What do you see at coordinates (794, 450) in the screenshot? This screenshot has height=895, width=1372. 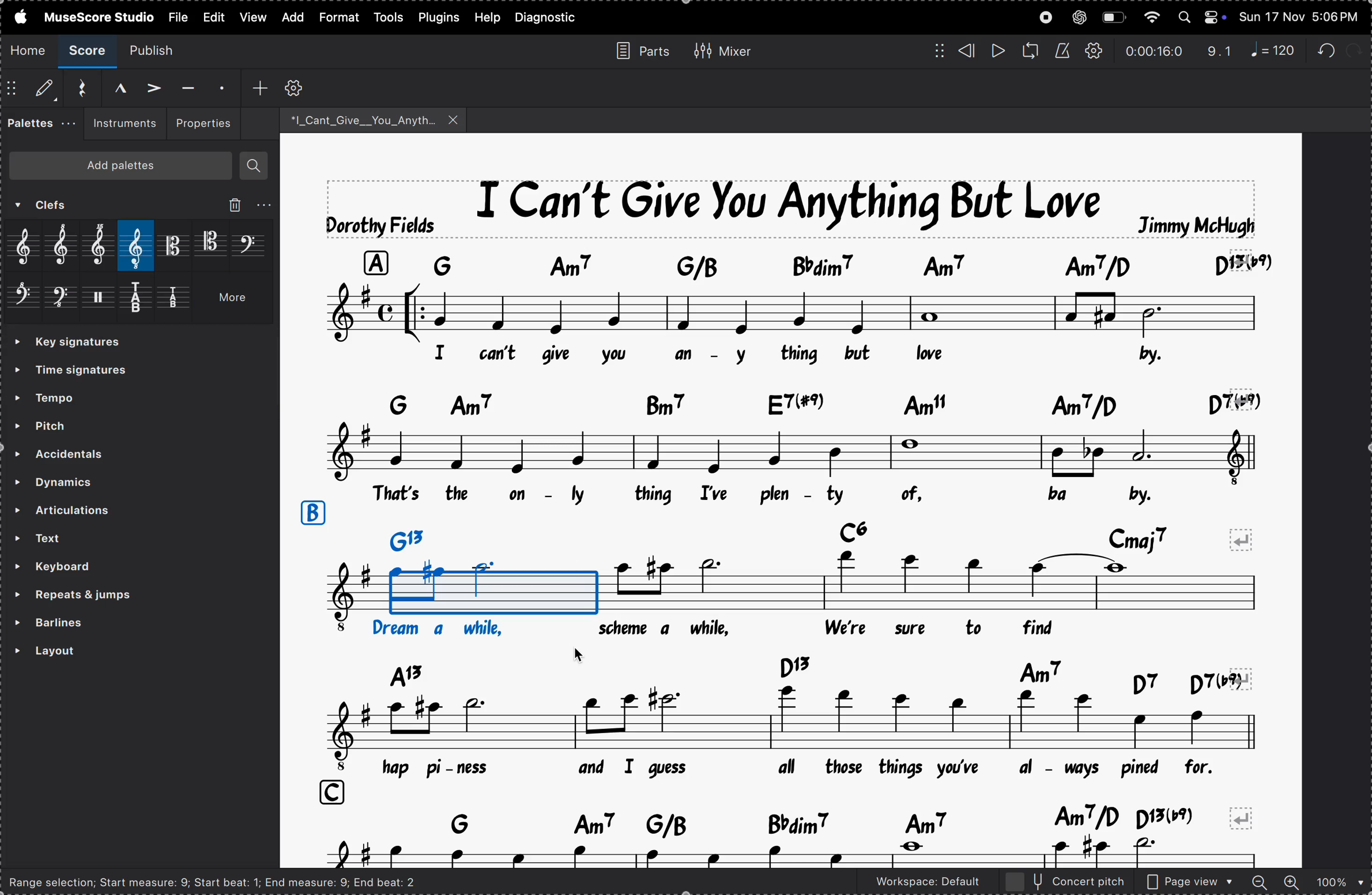 I see `notes` at bounding box center [794, 450].